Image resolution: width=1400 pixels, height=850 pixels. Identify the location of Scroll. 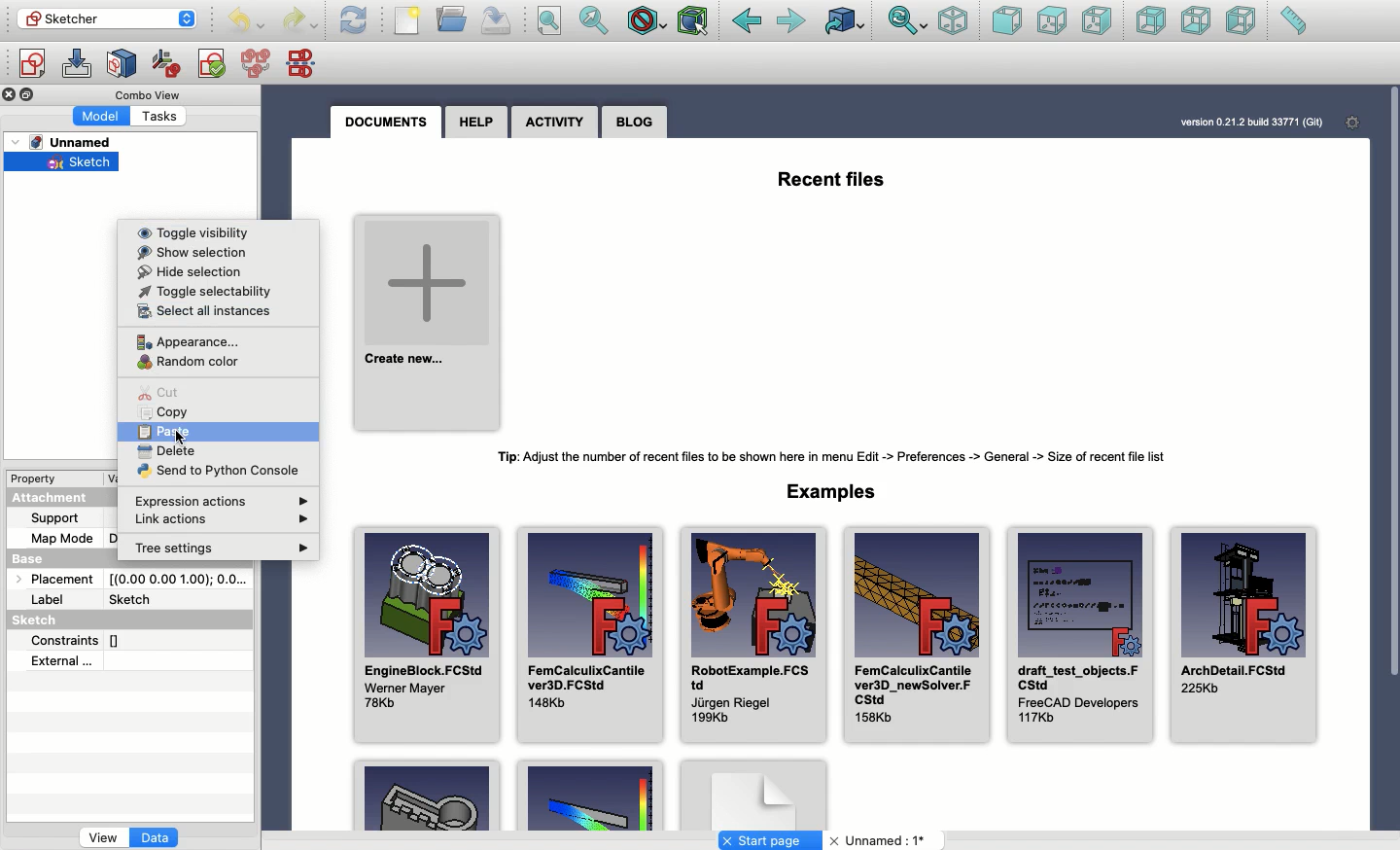
(1391, 438).